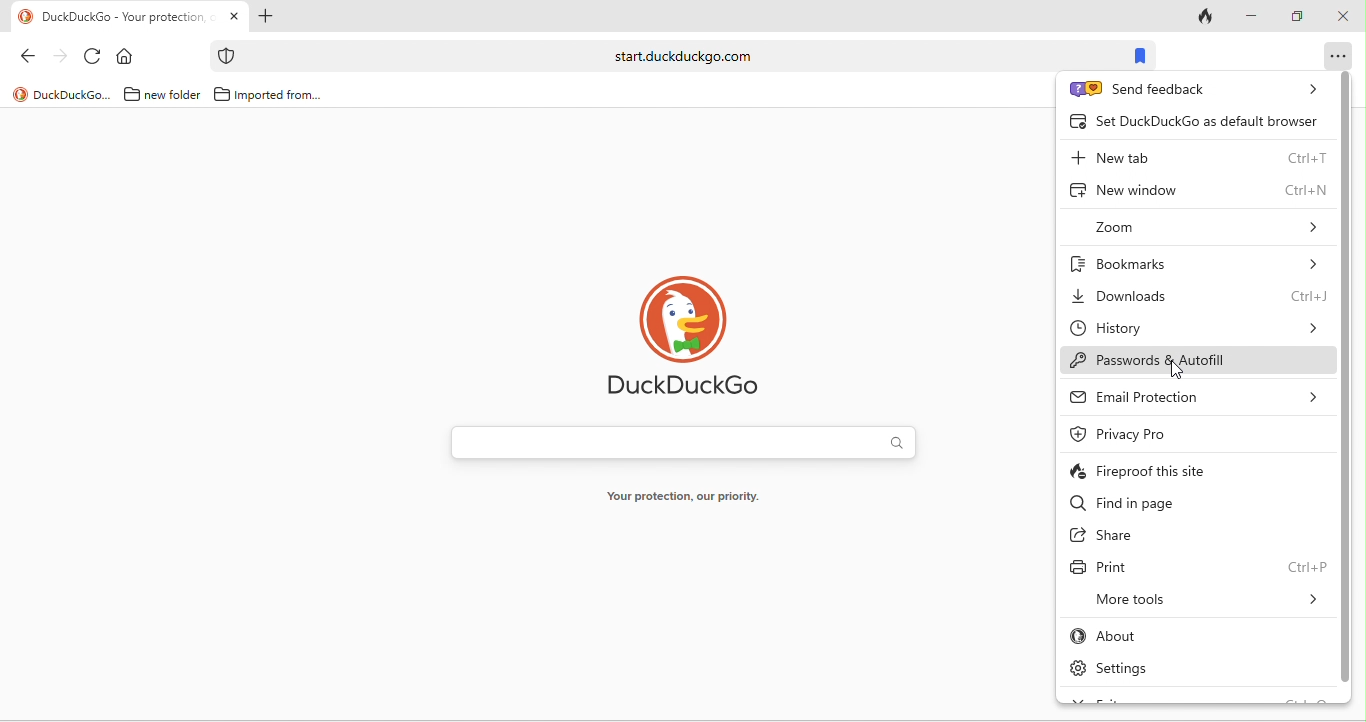 Image resolution: width=1366 pixels, height=722 pixels. Describe the element at coordinates (235, 16) in the screenshot. I see `close tab` at that location.